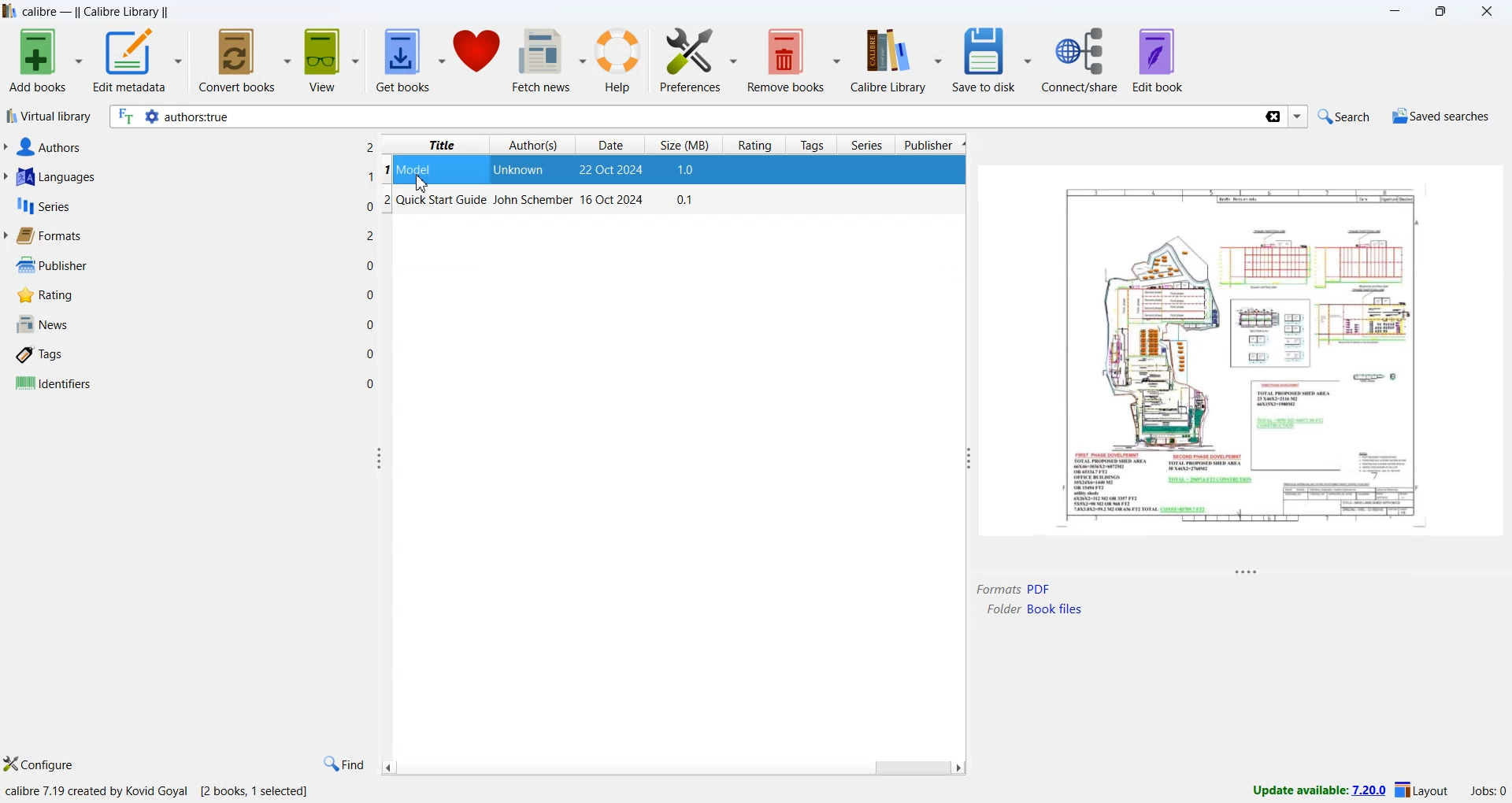  Describe the element at coordinates (1443, 13) in the screenshot. I see `maximize` at that location.